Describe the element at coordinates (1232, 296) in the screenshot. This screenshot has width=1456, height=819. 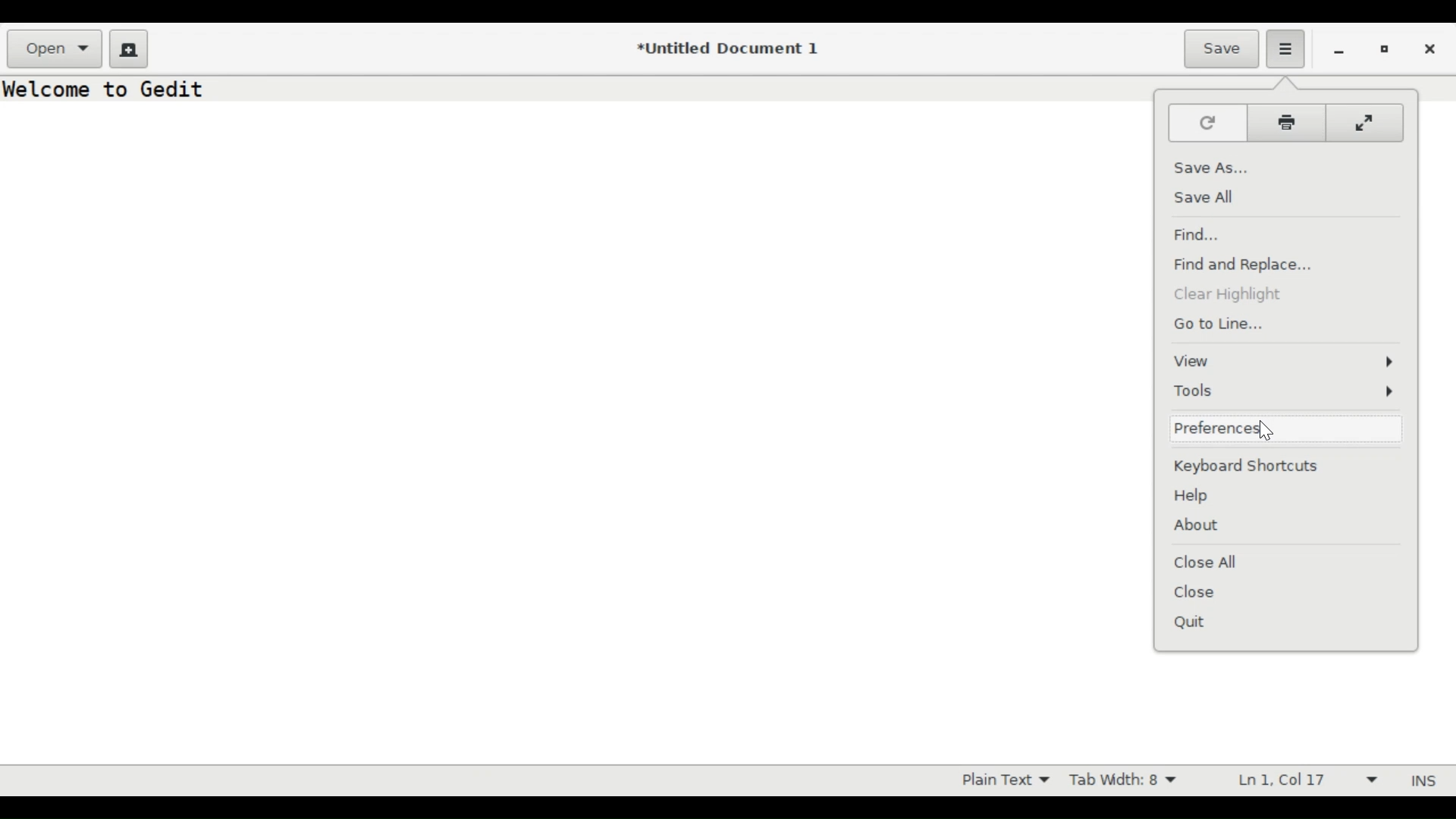
I see `Clear Highlight` at that location.